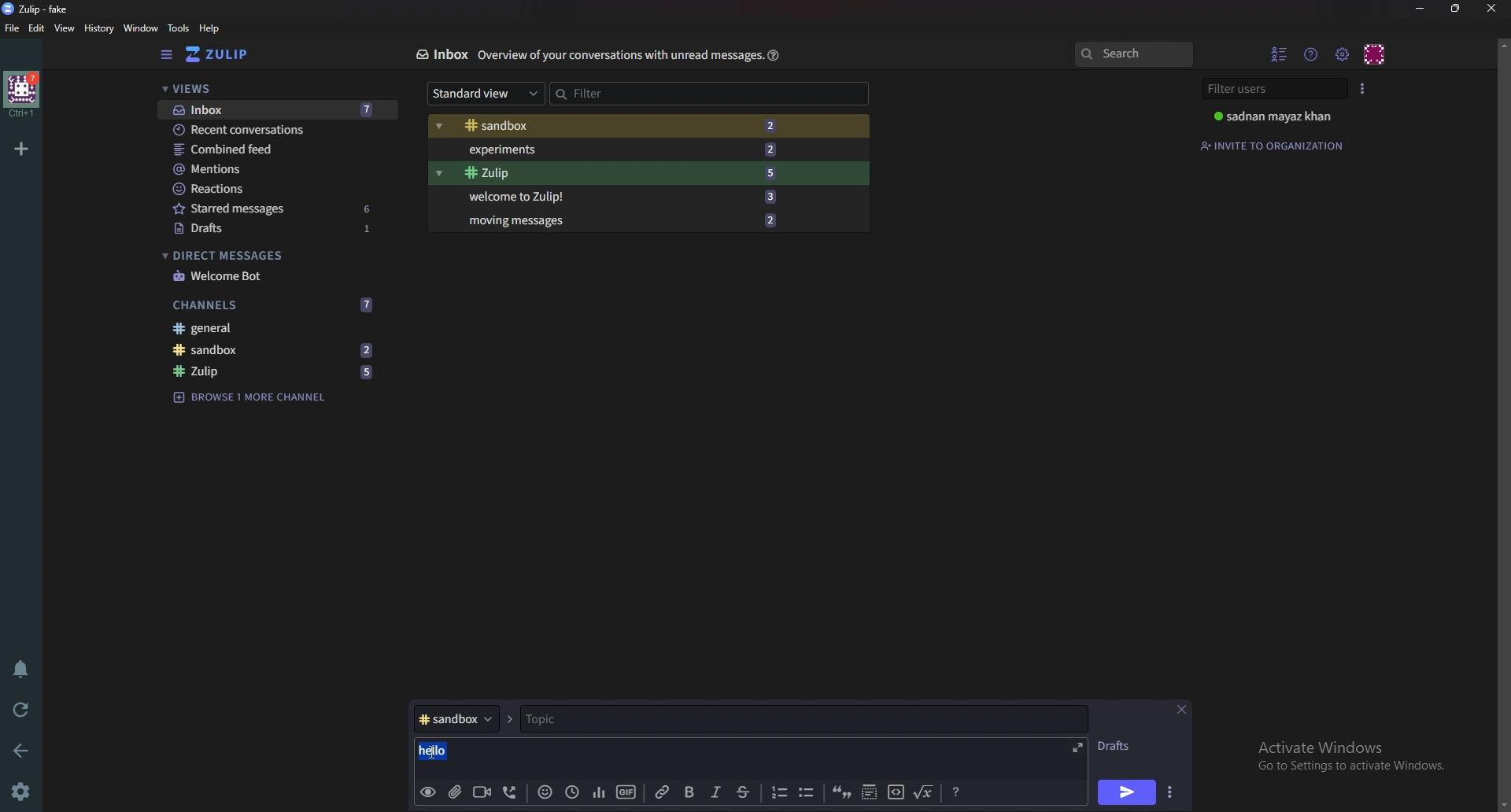 Image resolution: width=1511 pixels, height=812 pixels. What do you see at coordinates (21, 710) in the screenshot?
I see `Reload` at bounding box center [21, 710].